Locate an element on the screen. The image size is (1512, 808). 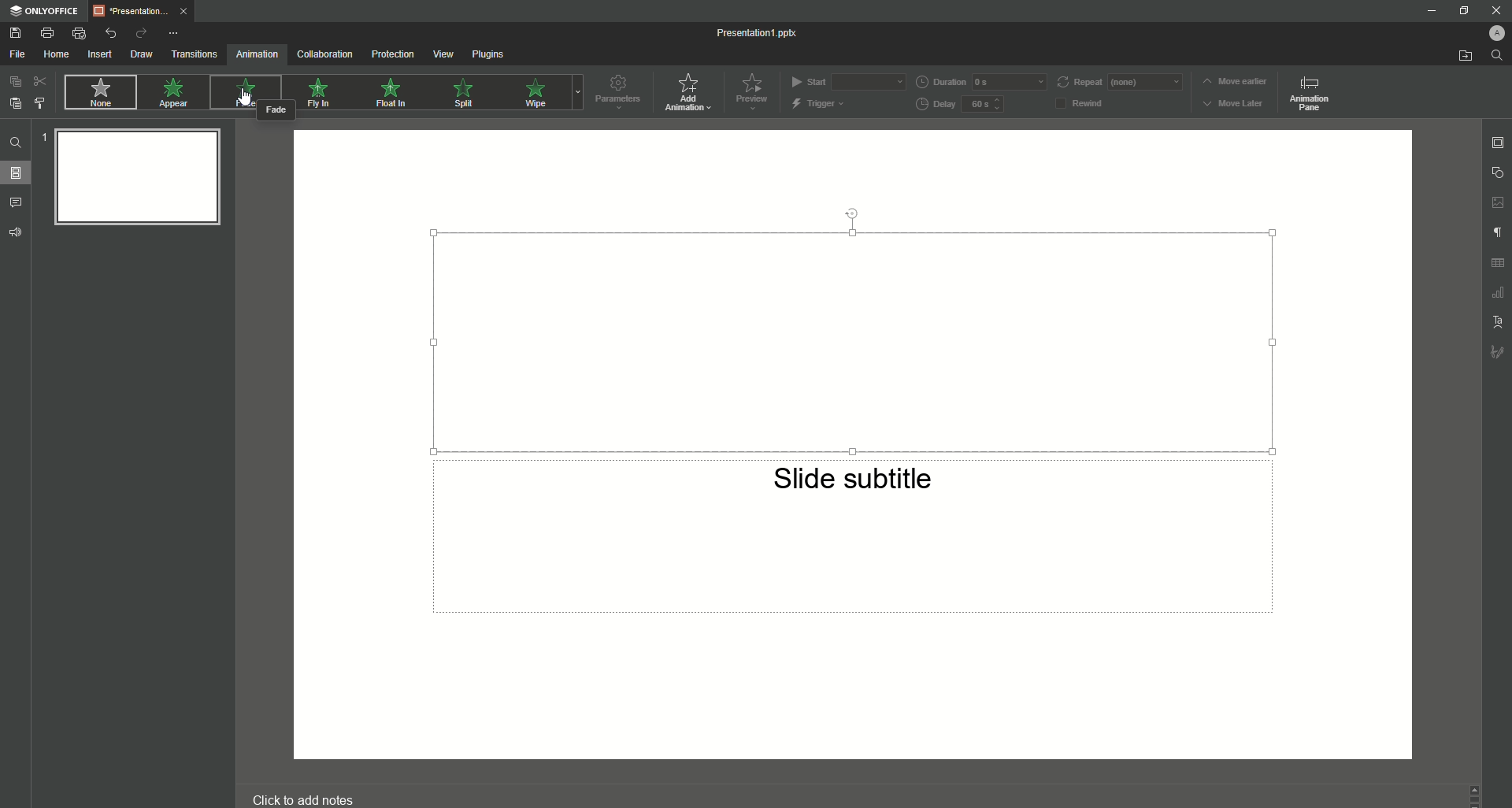
Duration is located at coordinates (981, 82).